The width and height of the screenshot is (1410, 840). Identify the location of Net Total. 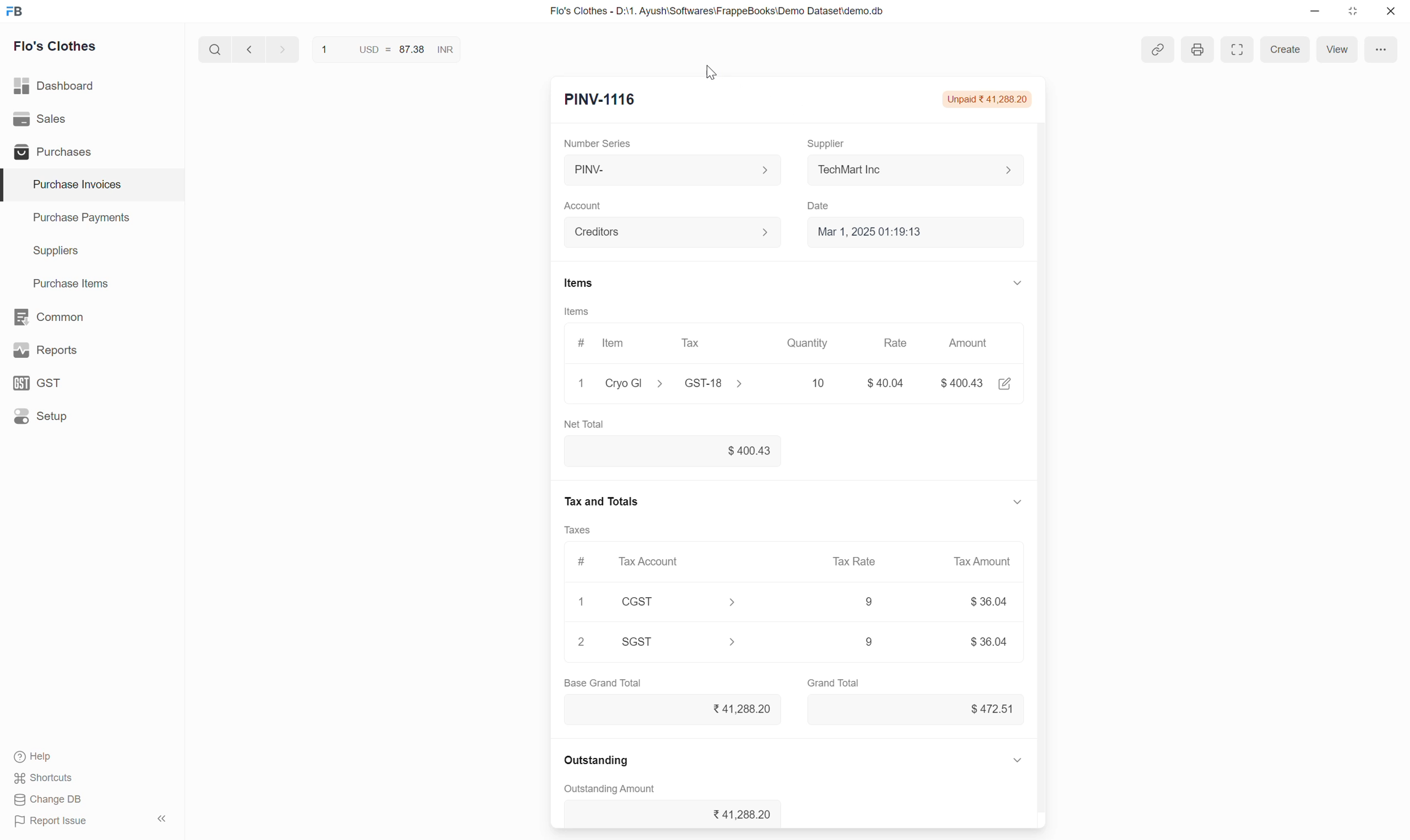
(599, 424).